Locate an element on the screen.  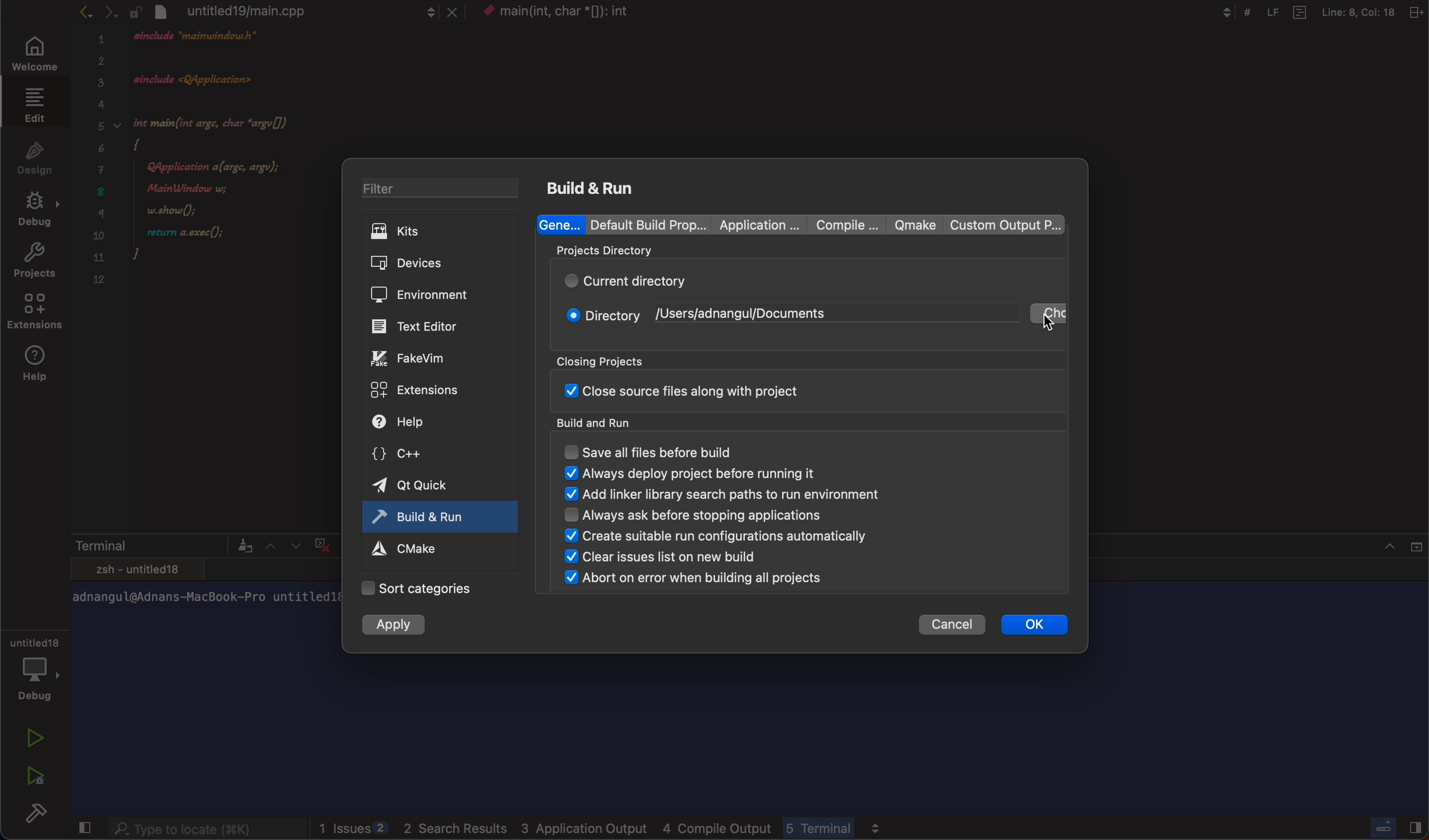
save all is located at coordinates (649, 449).